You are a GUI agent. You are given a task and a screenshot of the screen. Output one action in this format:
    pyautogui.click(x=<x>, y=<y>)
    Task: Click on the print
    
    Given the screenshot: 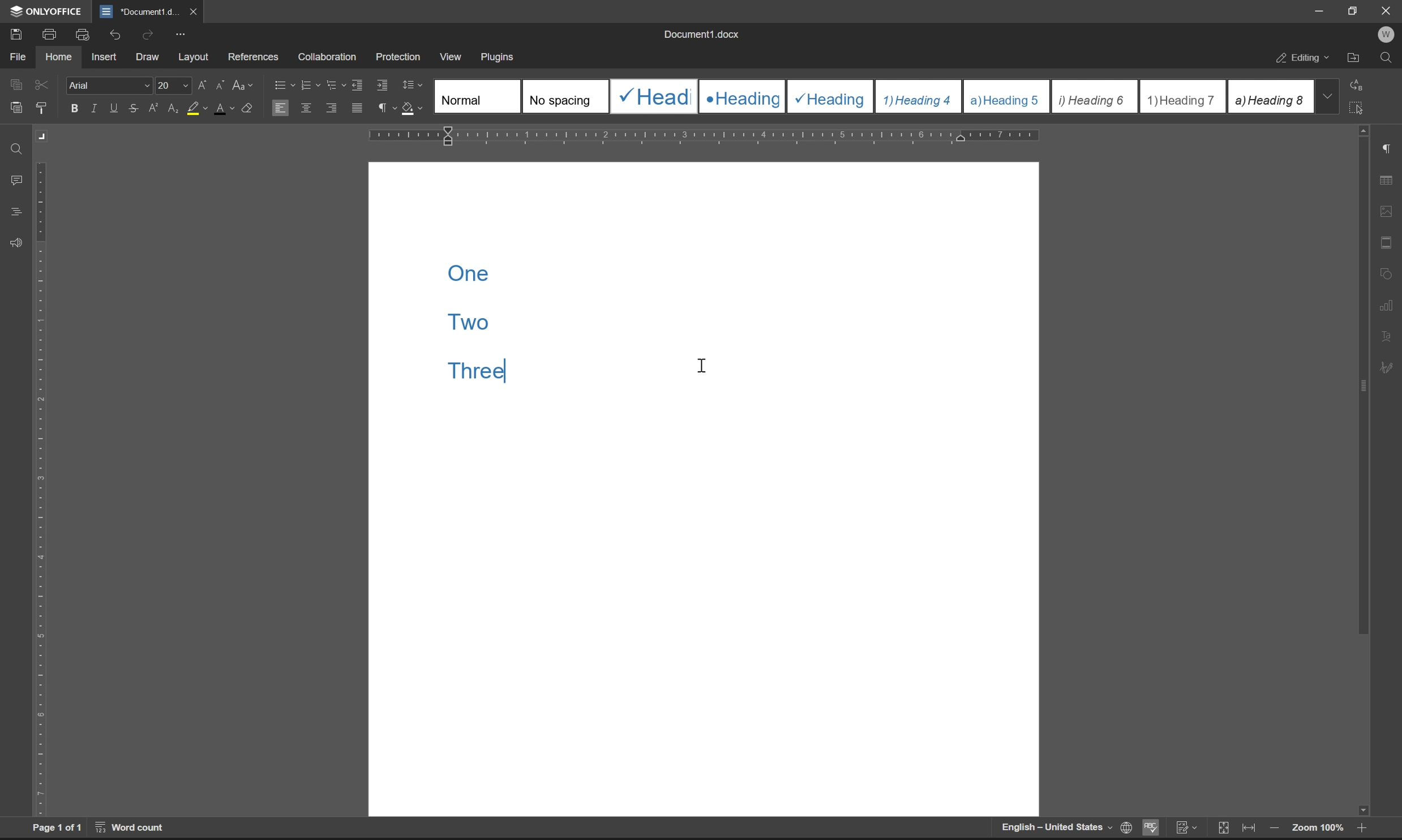 What is the action you would take?
    pyautogui.click(x=53, y=33)
    